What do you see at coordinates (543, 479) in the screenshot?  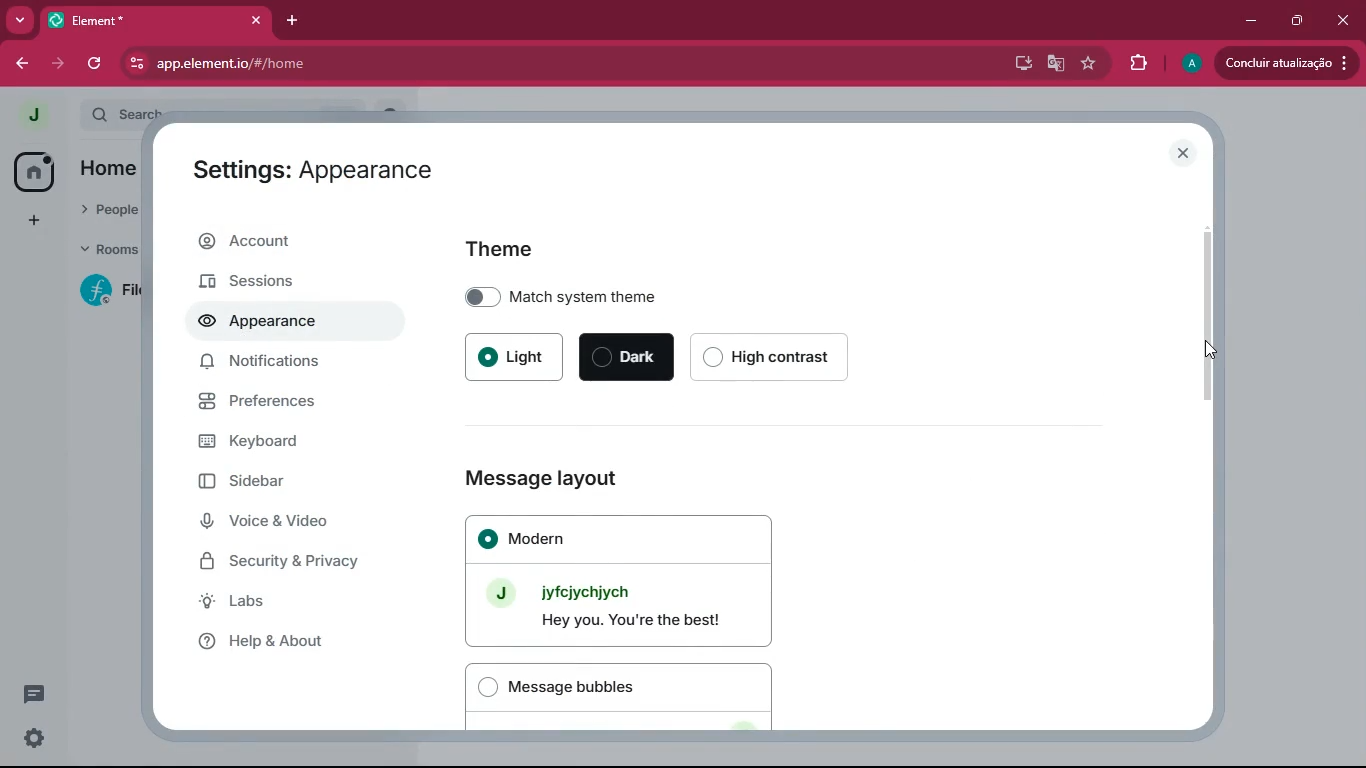 I see `Message layout` at bounding box center [543, 479].